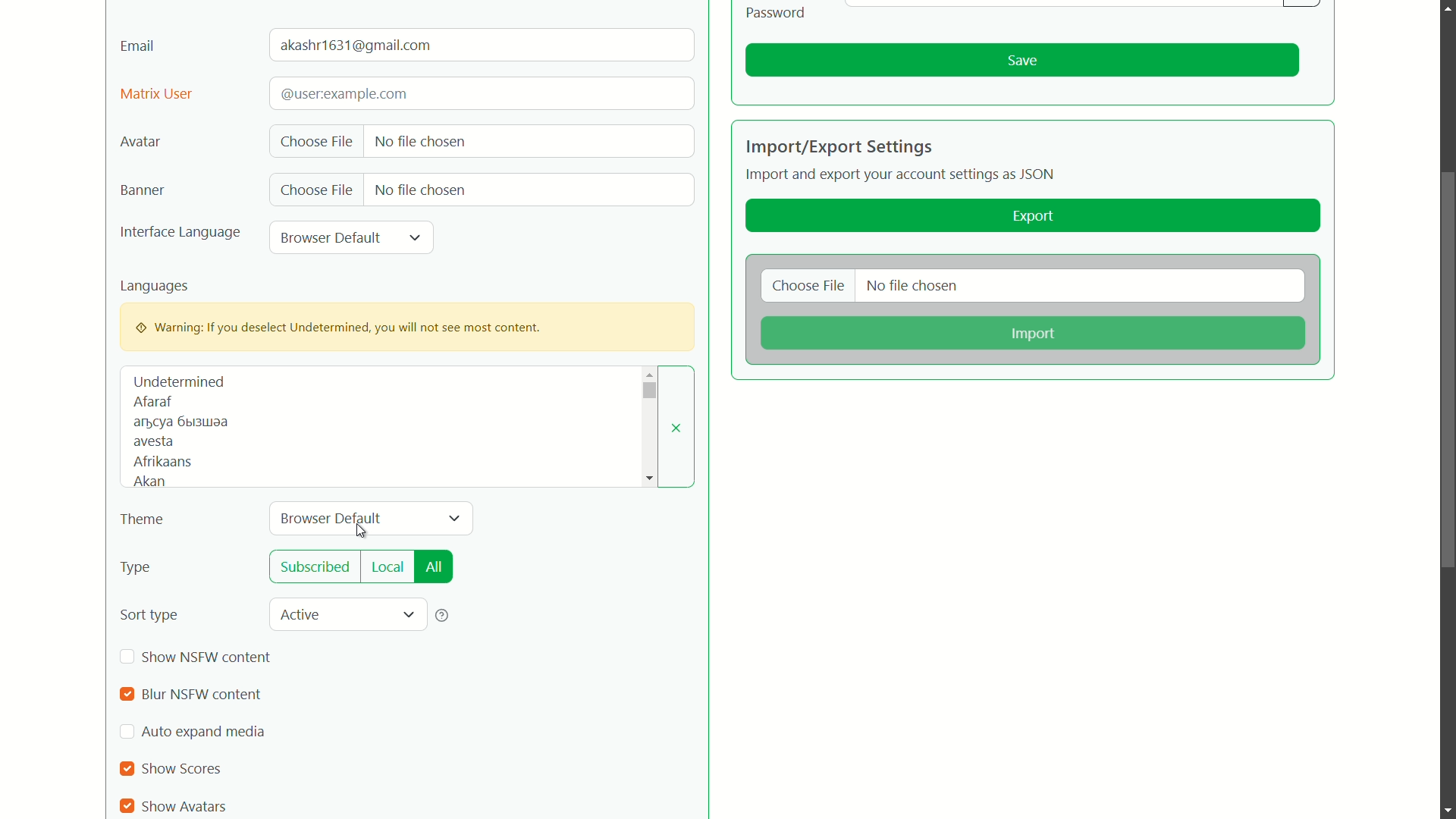 This screenshot has width=1456, height=819. Describe the element at coordinates (809, 287) in the screenshot. I see `choose file` at that location.